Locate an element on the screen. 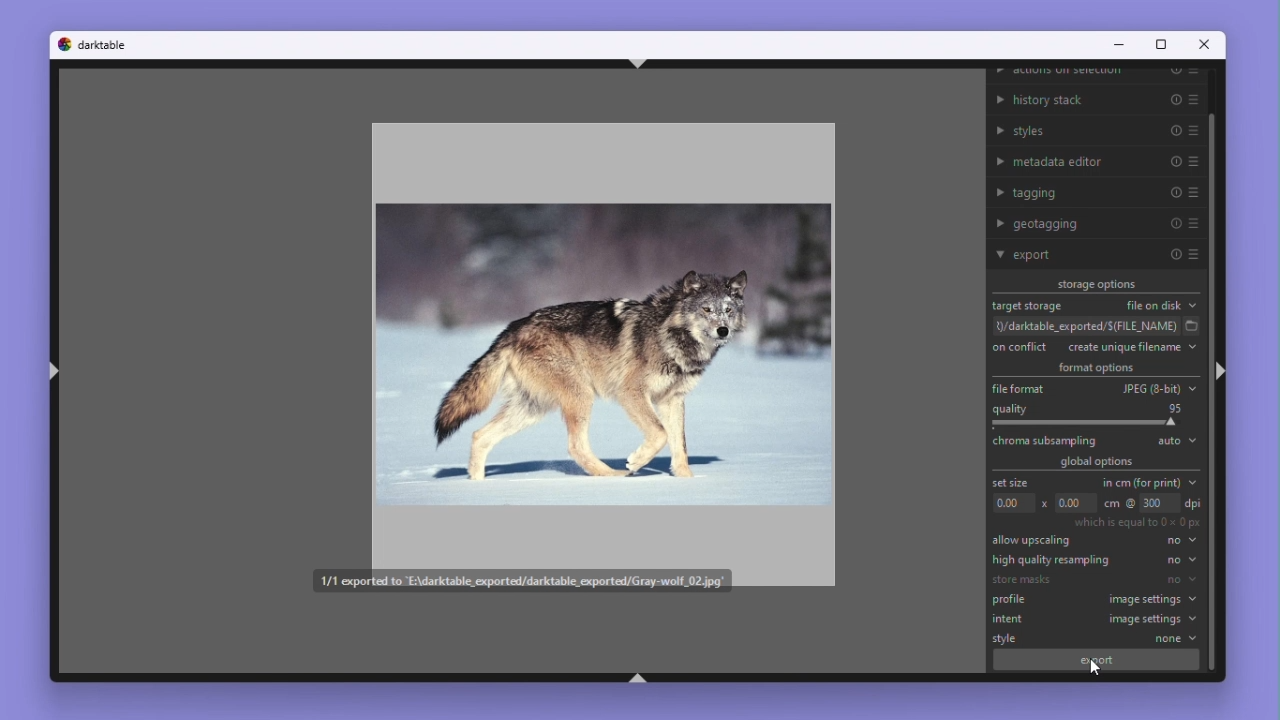 Image resolution: width=1280 pixels, height=720 pixels. On conflict is located at coordinates (1022, 348).